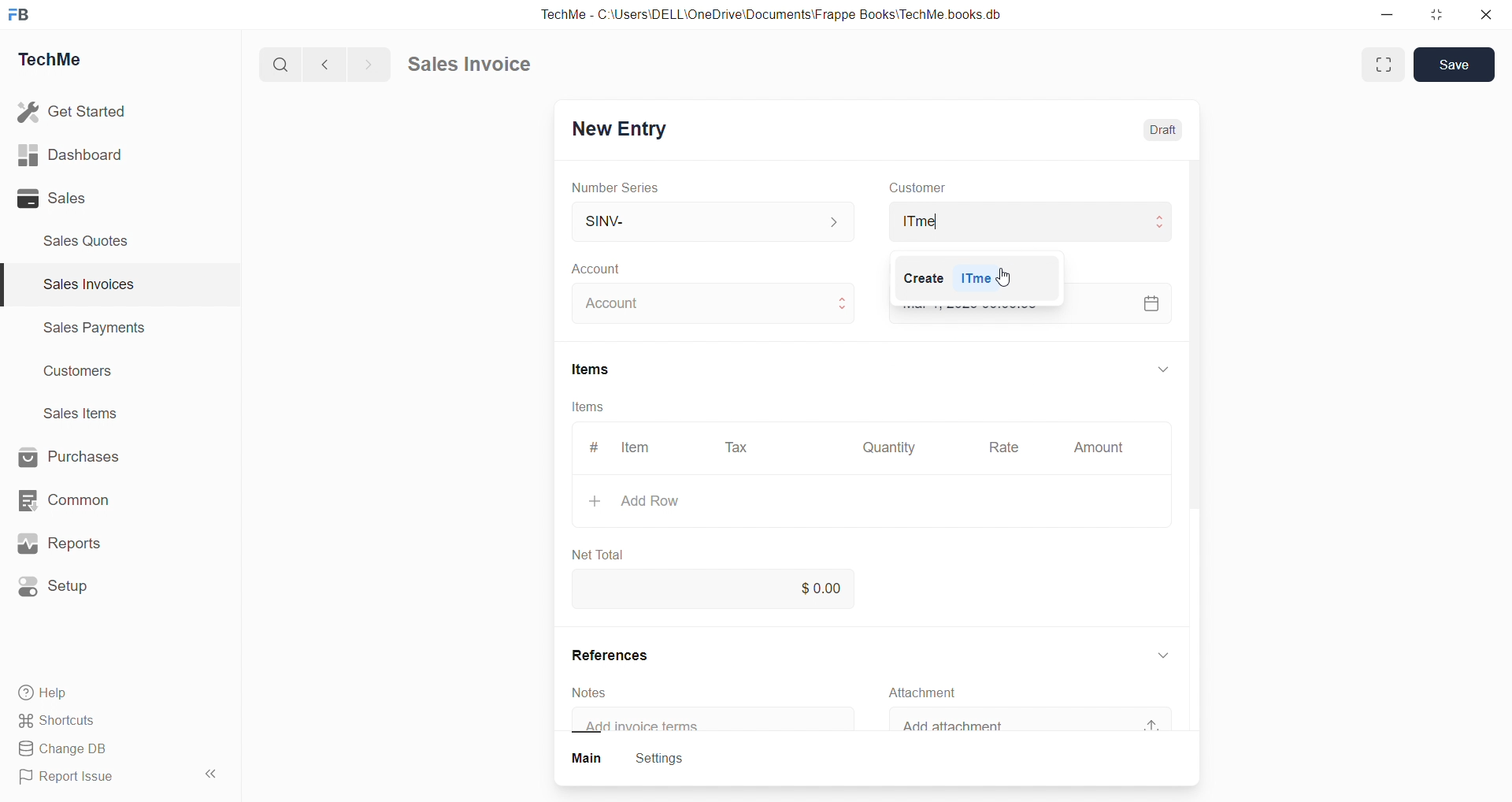  Describe the element at coordinates (1161, 366) in the screenshot. I see `doopdown` at that location.